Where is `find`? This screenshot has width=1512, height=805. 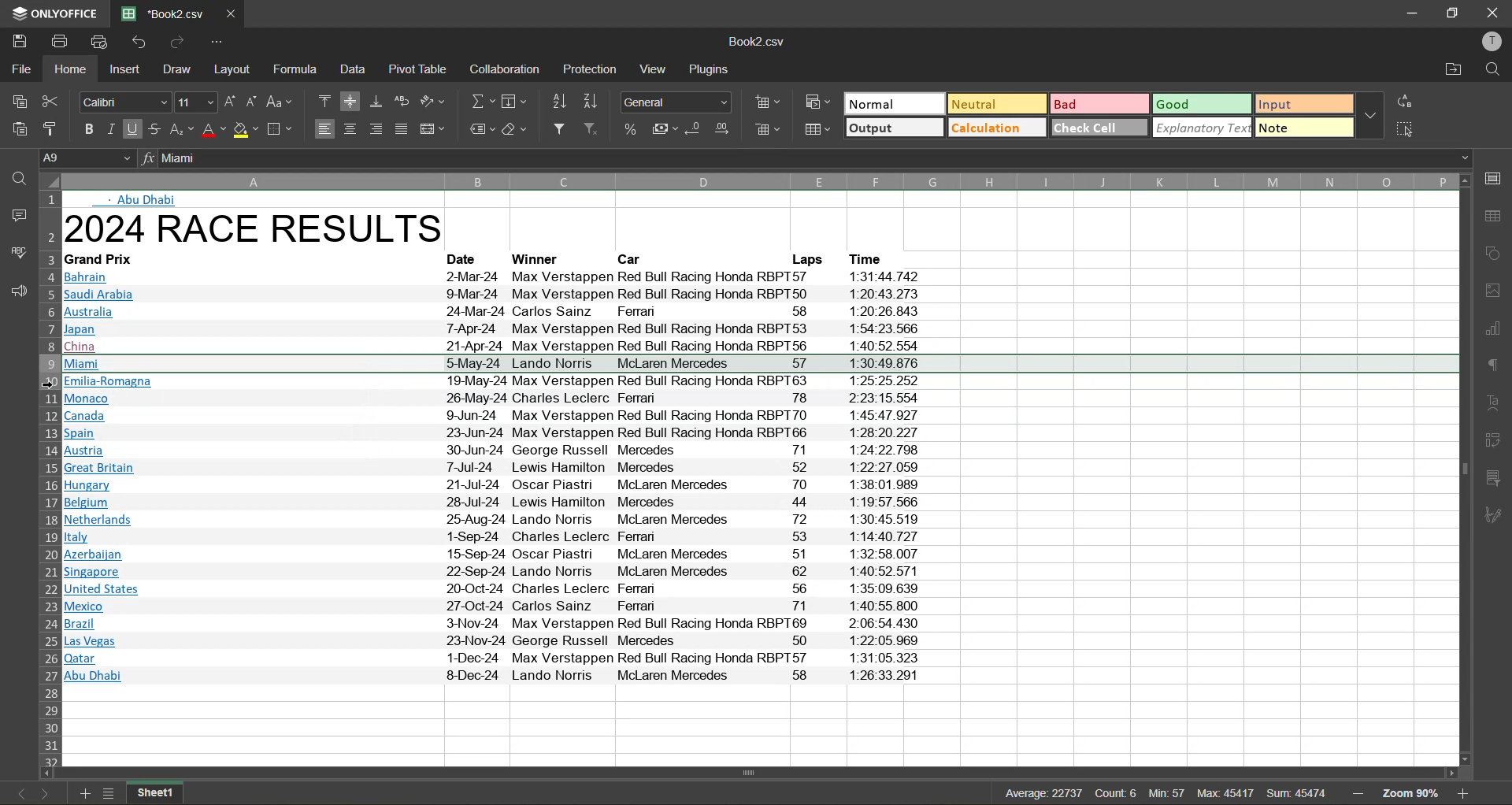
find is located at coordinates (16, 183).